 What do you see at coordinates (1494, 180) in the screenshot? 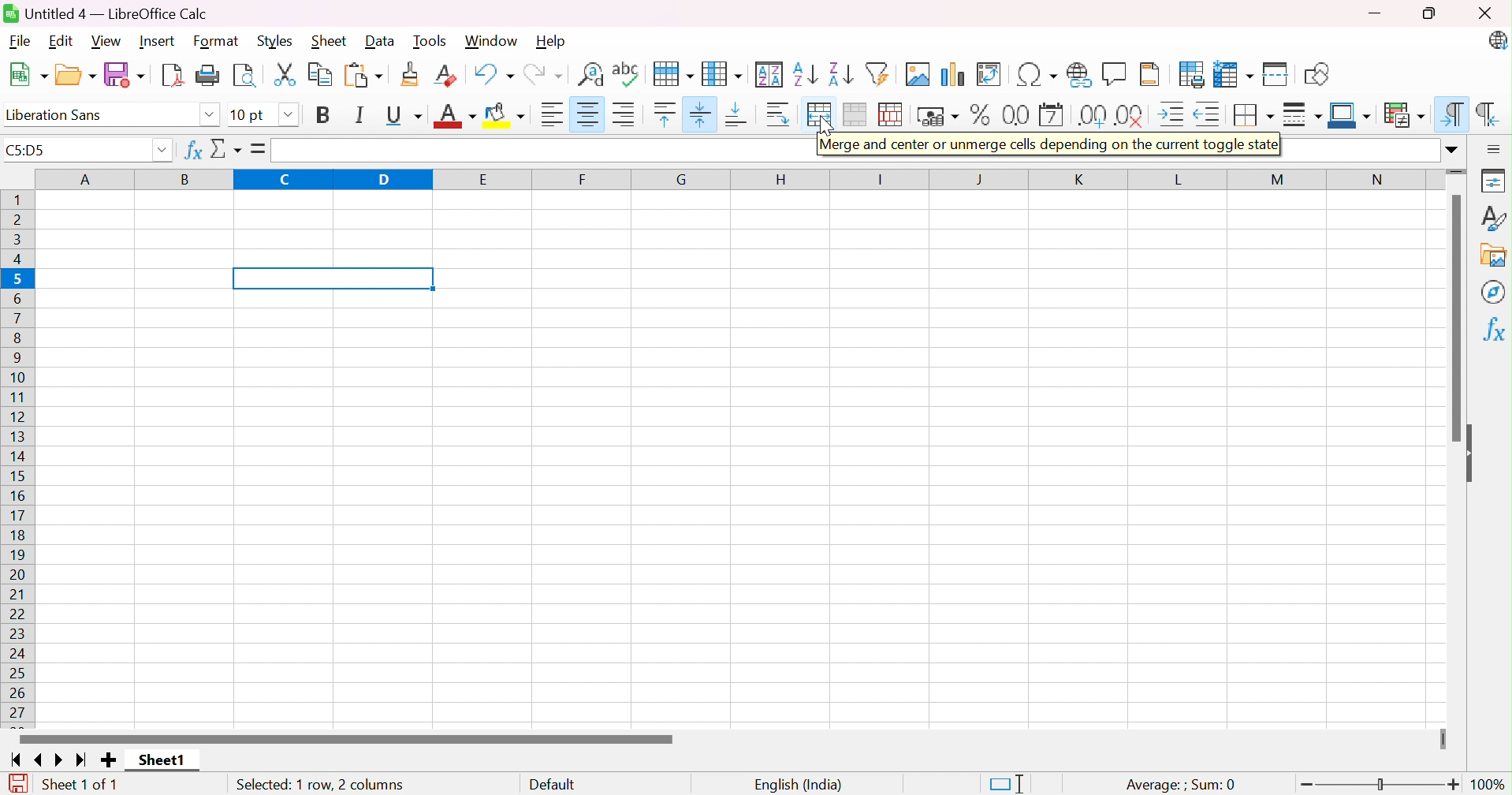
I see `Properties` at bounding box center [1494, 180].